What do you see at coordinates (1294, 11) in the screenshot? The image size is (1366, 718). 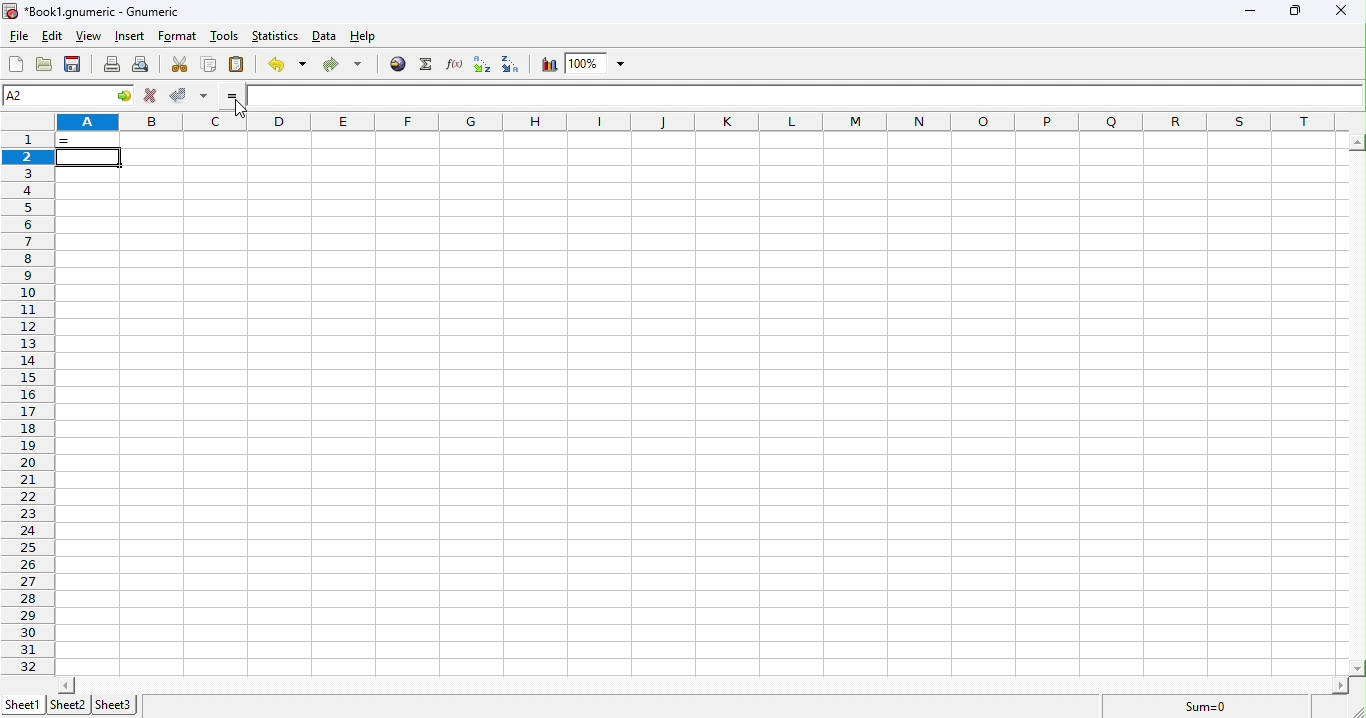 I see `maximize` at bounding box center [1294, 11].